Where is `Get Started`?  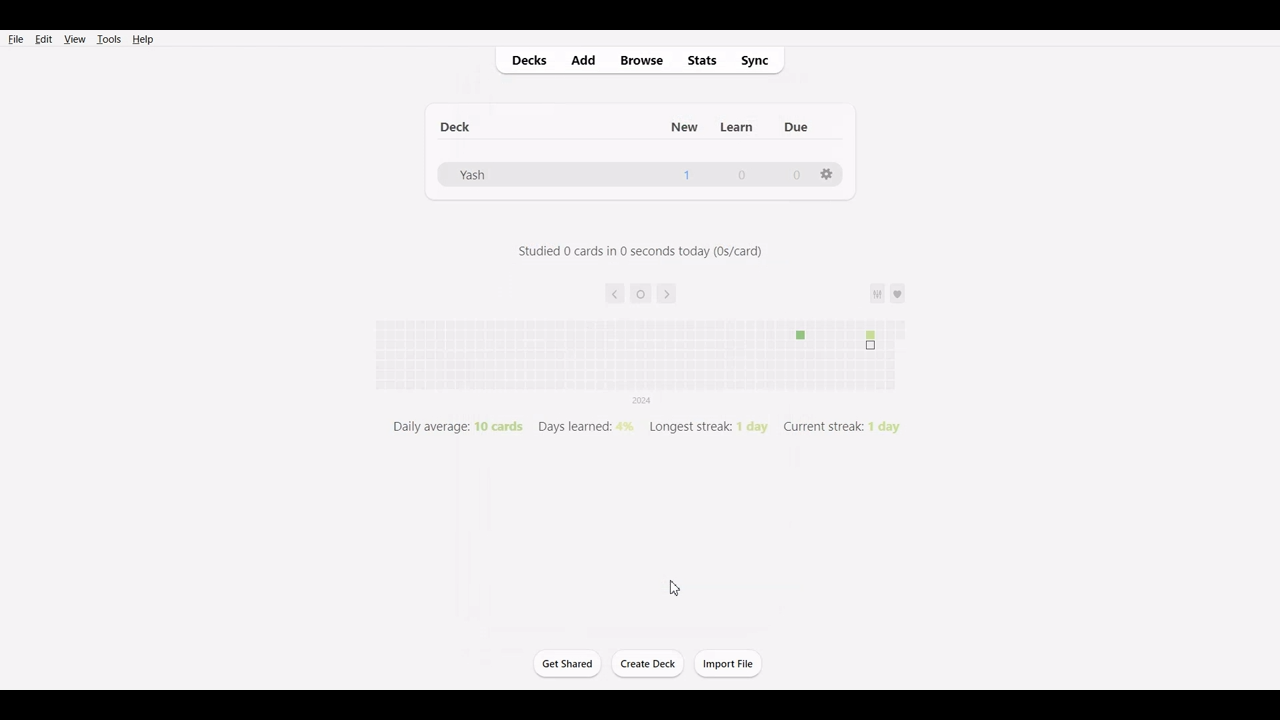
Get Started is located at coordinates (566, 663).